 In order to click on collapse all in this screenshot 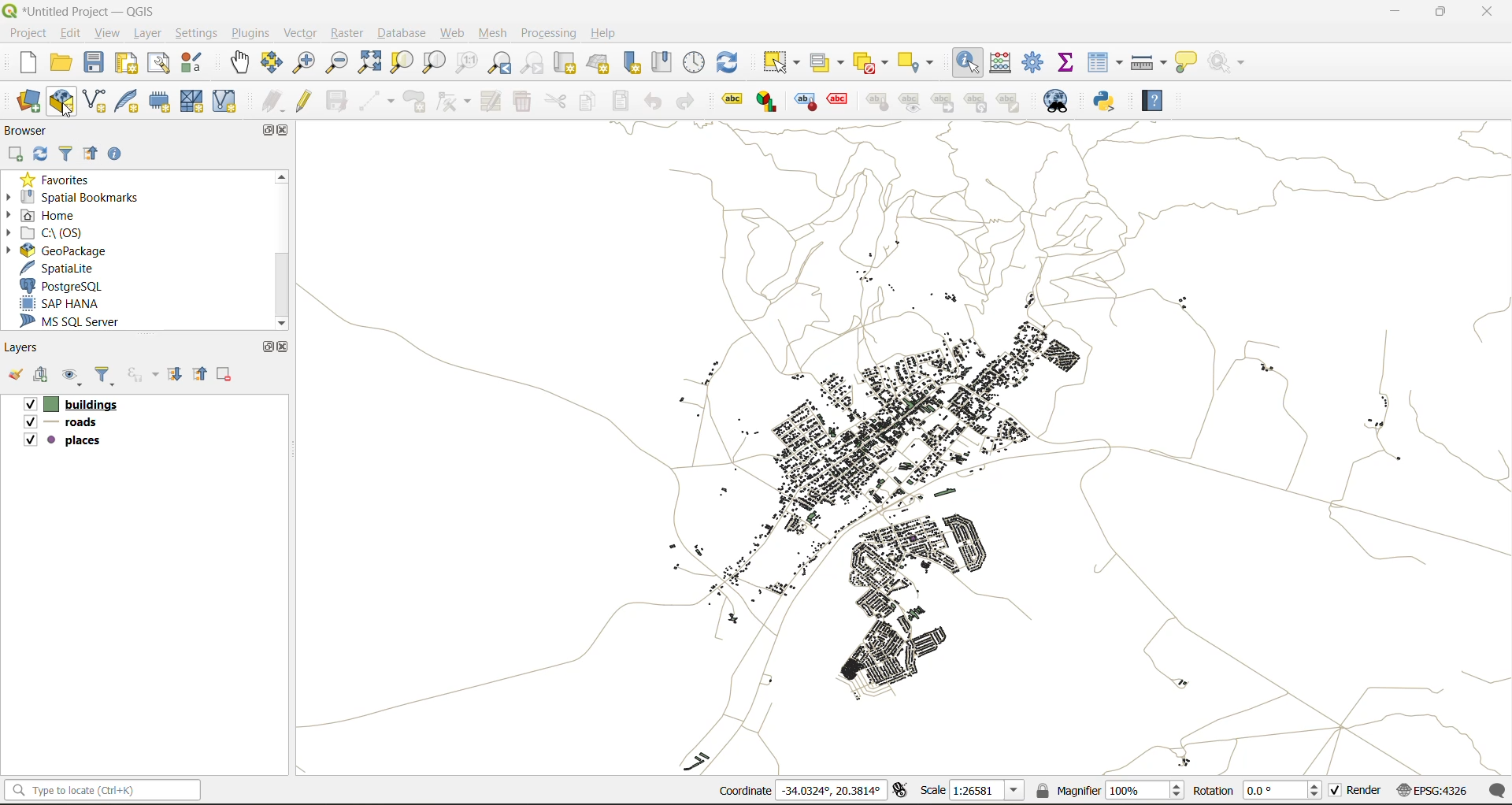, I will do `click(94, 154)`.